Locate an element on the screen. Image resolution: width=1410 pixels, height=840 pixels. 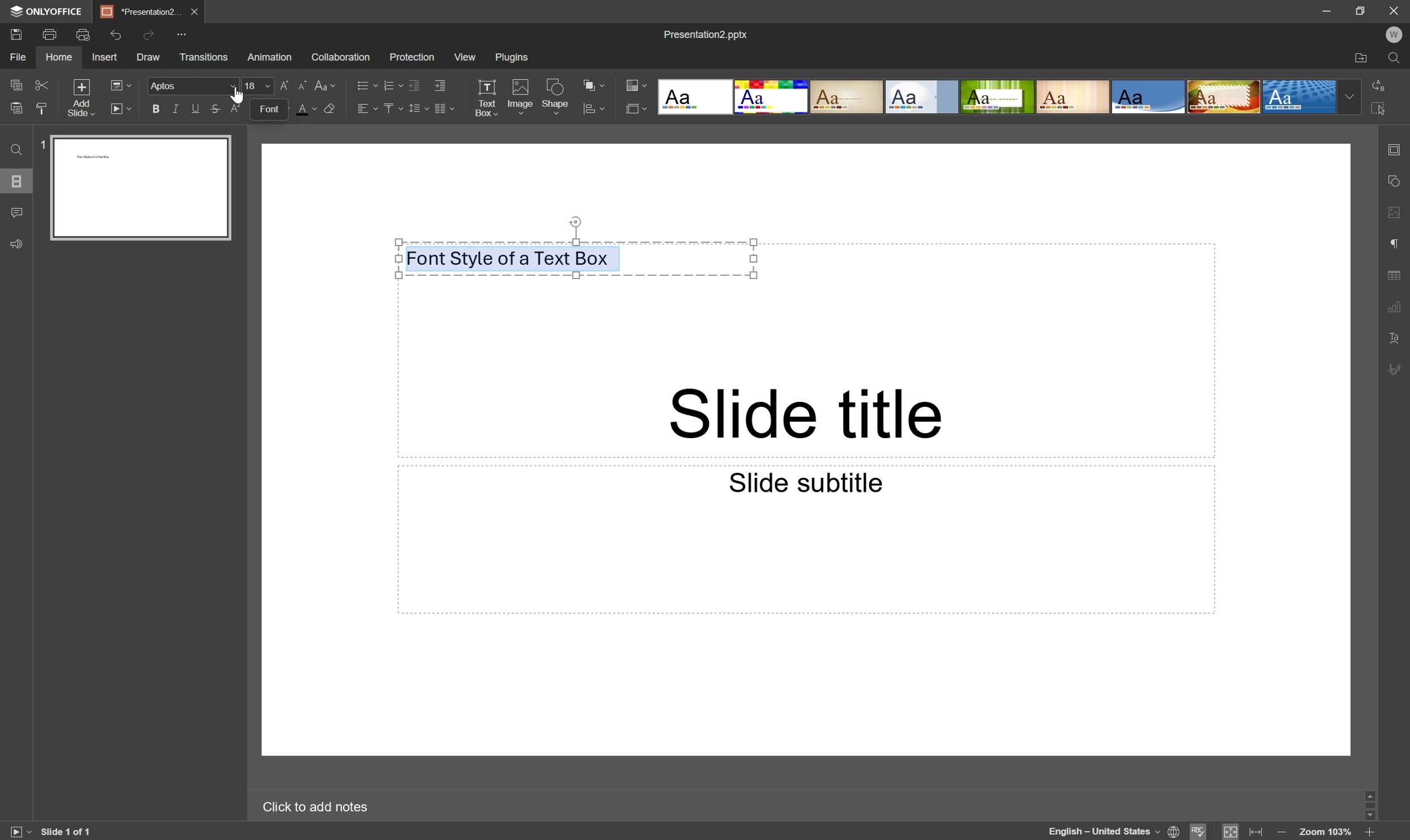
Highlight color is located at coordinates (280, 108).